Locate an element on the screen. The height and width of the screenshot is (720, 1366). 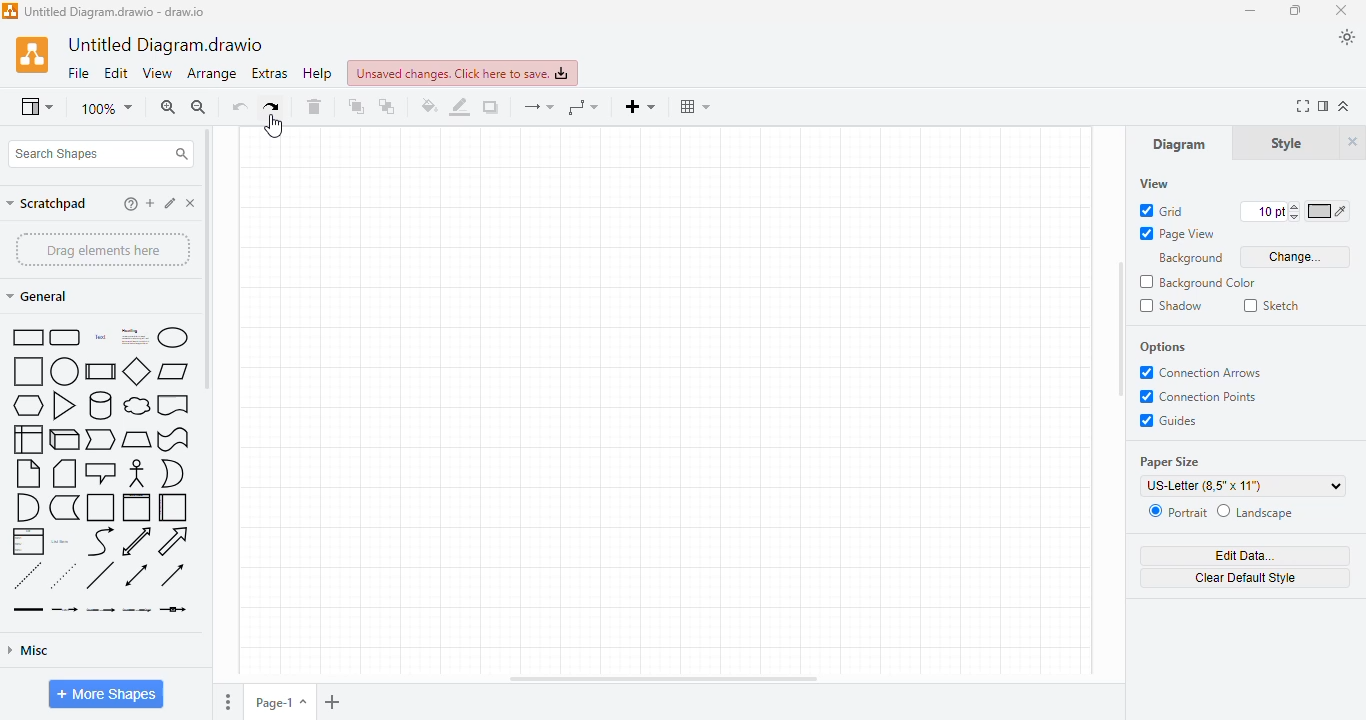
or is located at coordinates (172, 473).